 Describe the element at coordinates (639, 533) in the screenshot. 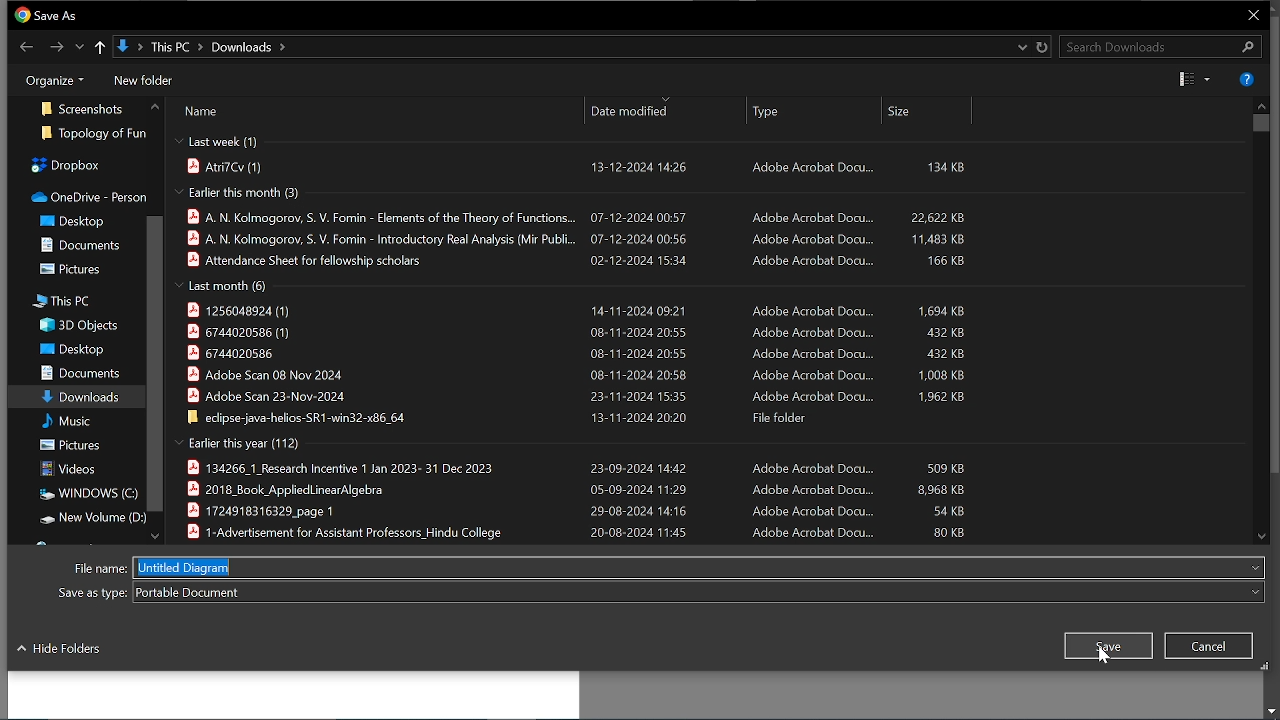

I see `20-08-2024 11:45` at that location.